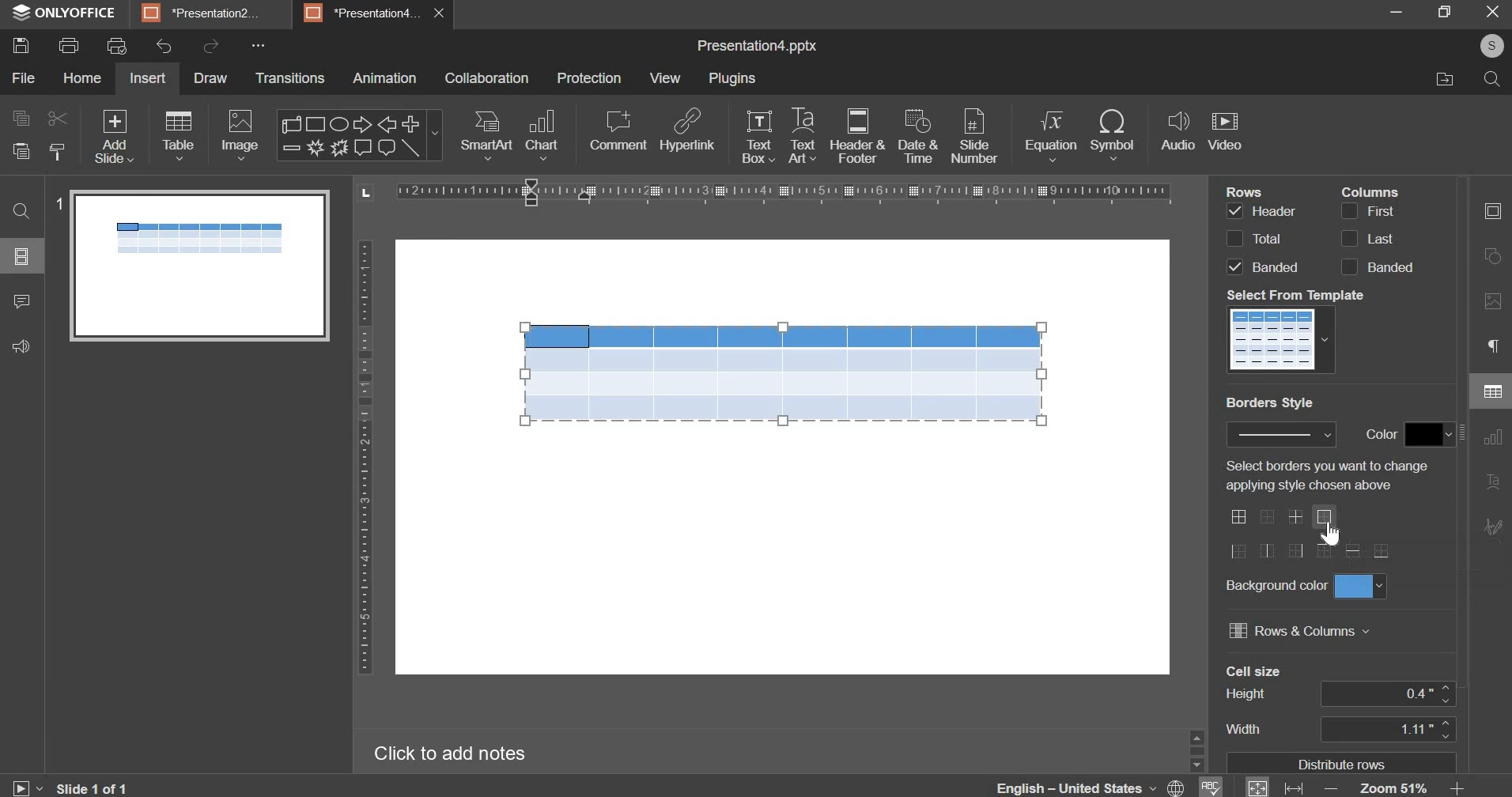 The height and width of the screenshot is (797, 1512). Describe the element at coordinates (114, 136) in the screenshot. I see `add slide` at that location.